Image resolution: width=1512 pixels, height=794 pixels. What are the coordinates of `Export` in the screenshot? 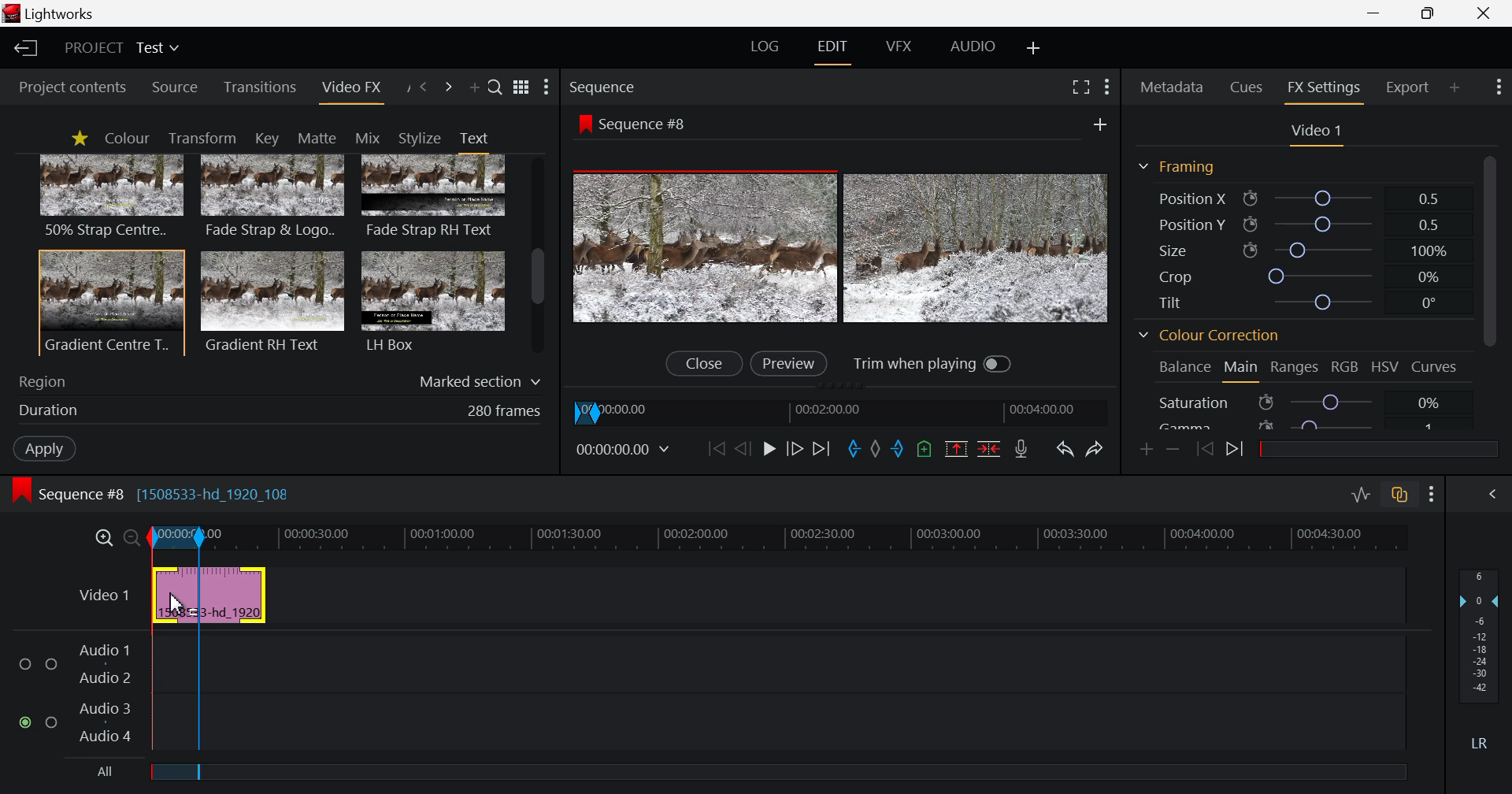 It's located at (1408, 85).